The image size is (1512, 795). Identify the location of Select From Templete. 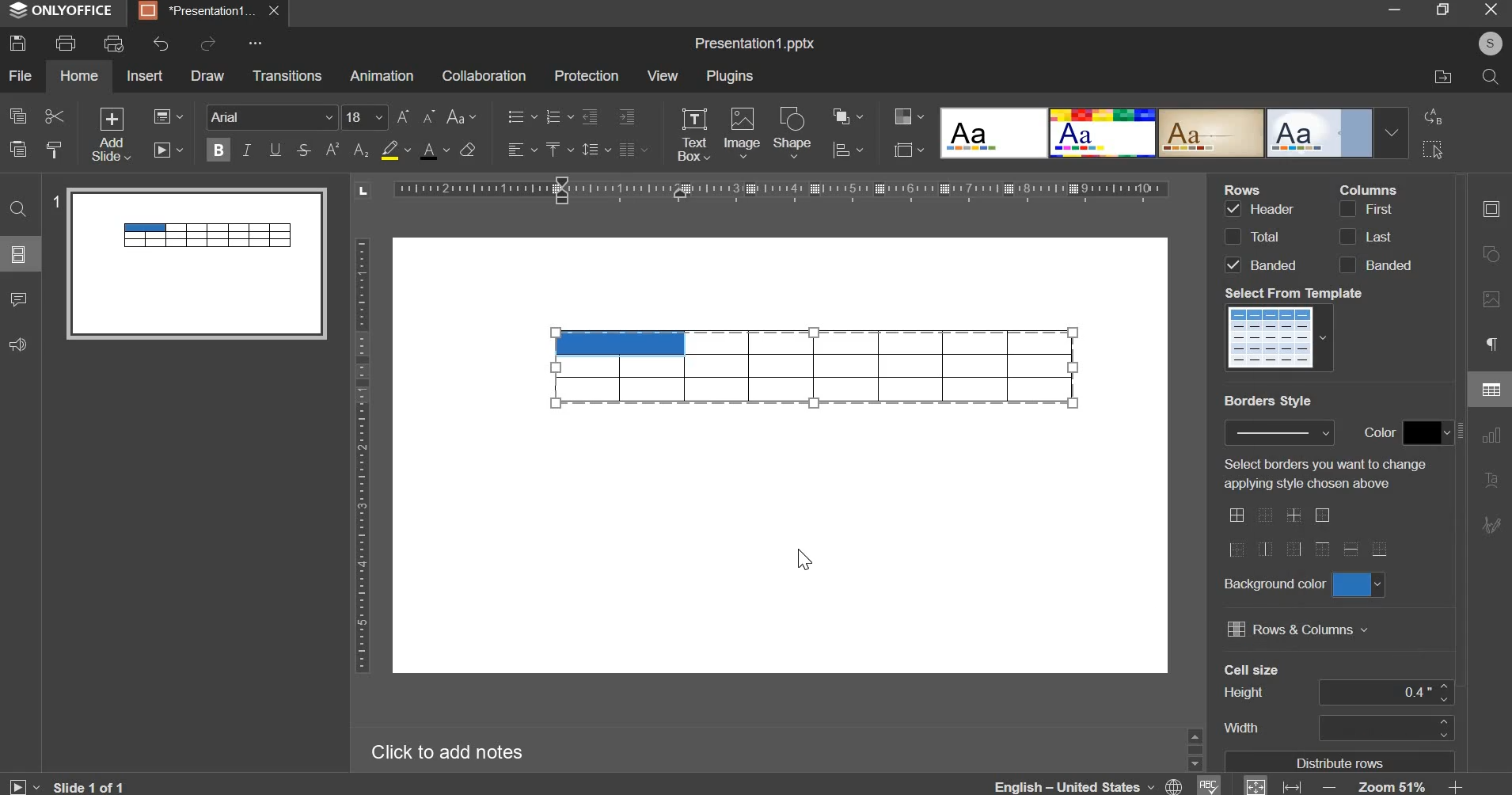
(1296, 293).